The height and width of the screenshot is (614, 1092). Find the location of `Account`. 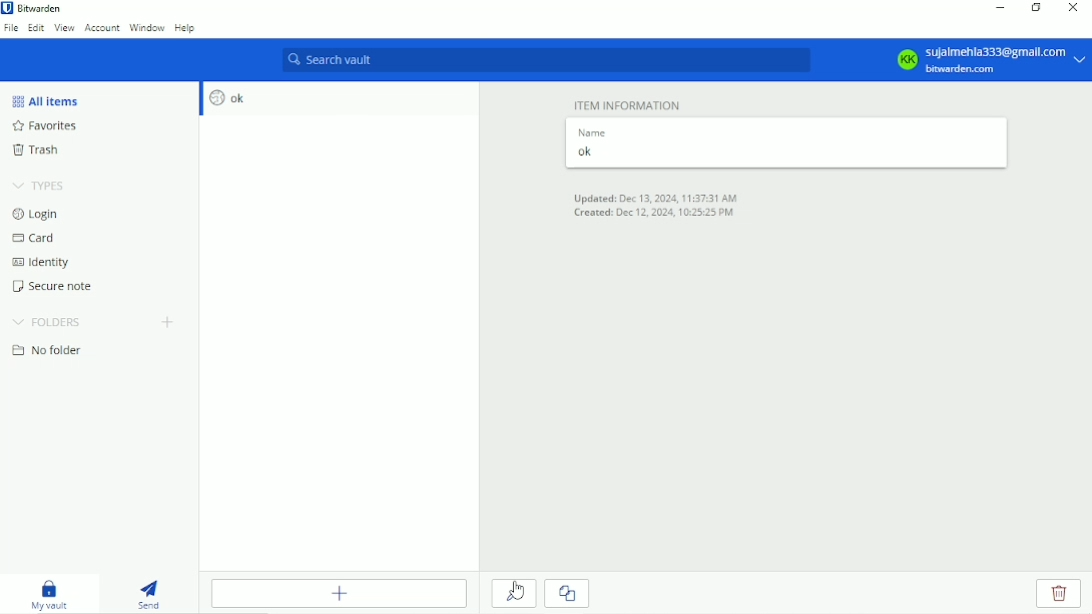

Account is located at coordinates (102, 28).